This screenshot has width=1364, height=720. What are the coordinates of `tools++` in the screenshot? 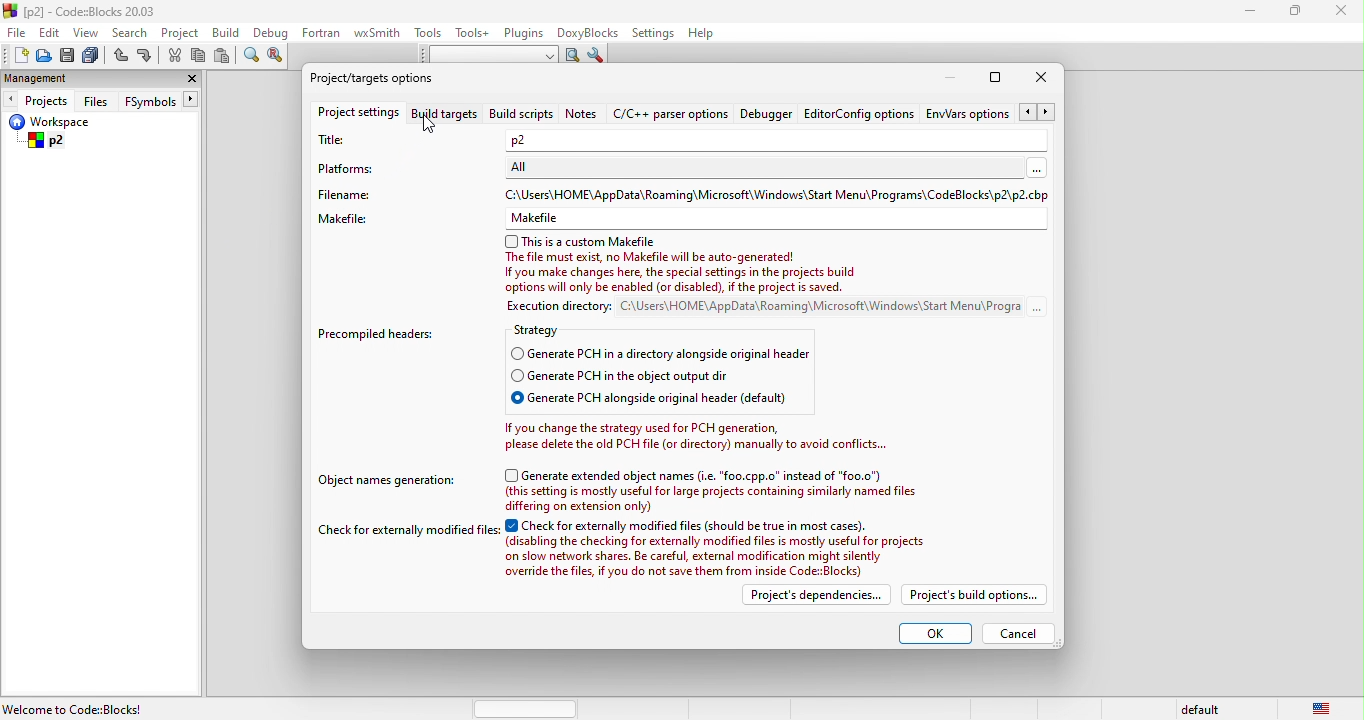 It's located at (473, 32).